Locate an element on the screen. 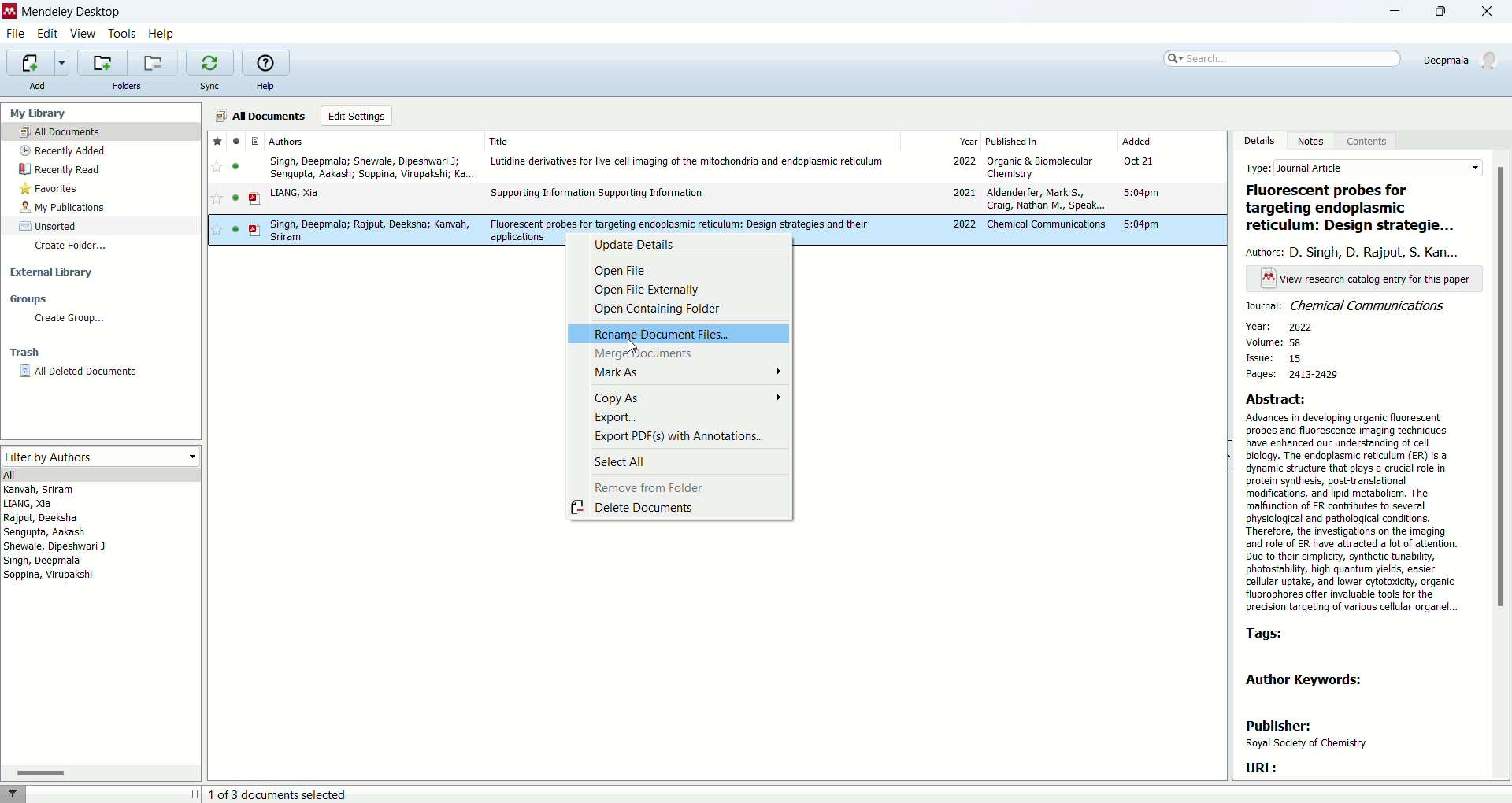  Chemical communications is located at coordinates (1044, 224).